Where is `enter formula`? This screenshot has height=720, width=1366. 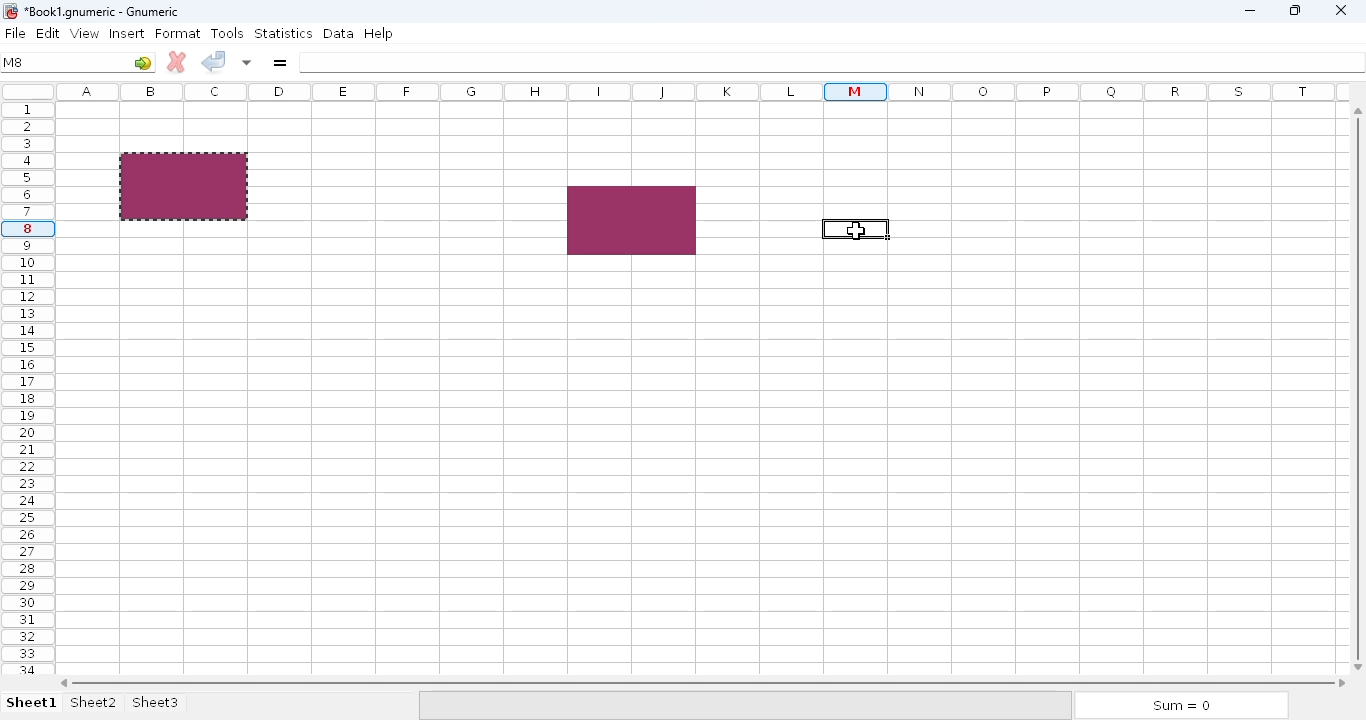 enter formula is located at coordinates (281, 62).